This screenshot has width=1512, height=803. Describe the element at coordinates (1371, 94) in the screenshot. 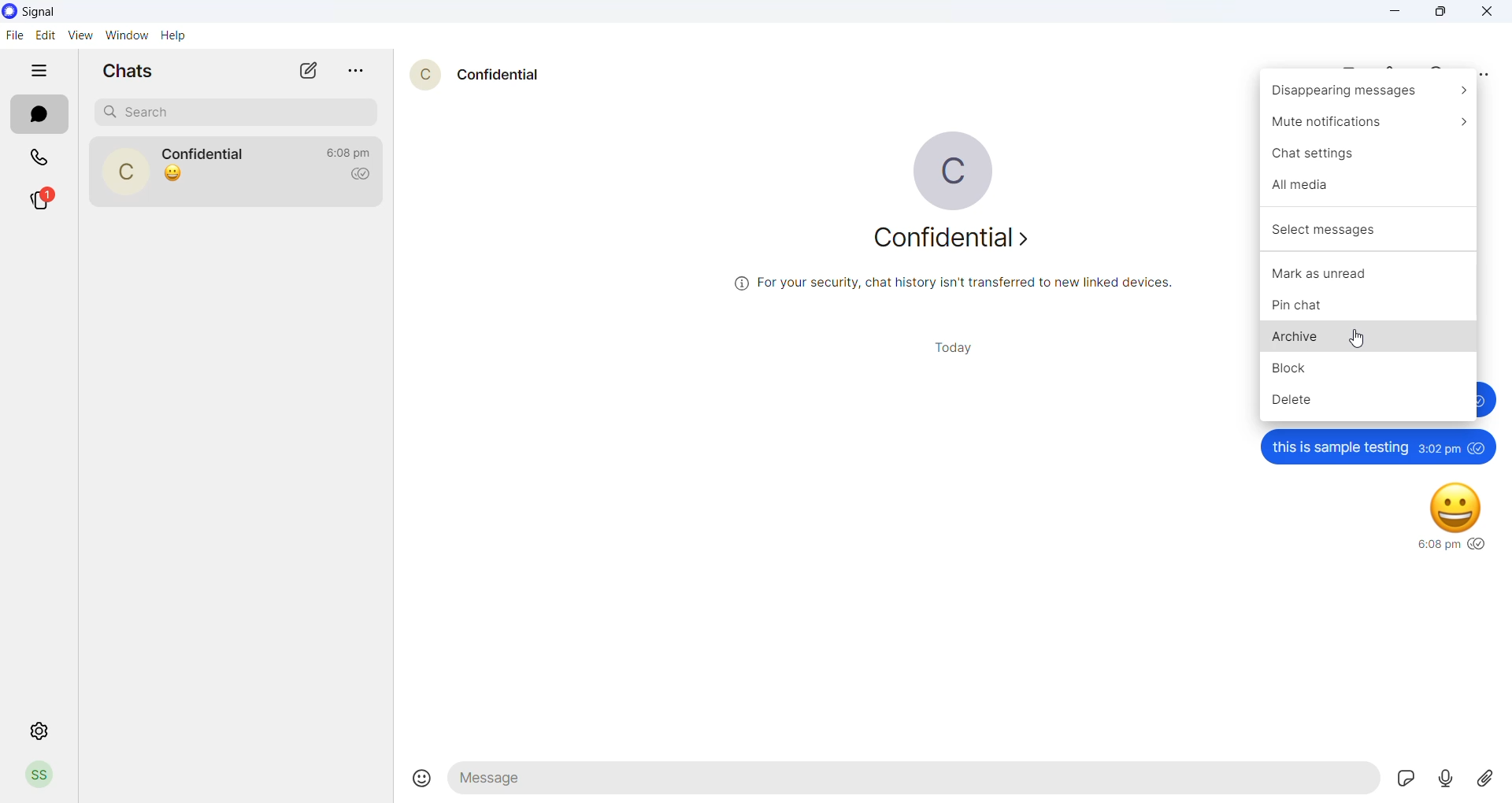

I see `disappearing messages` at that location.